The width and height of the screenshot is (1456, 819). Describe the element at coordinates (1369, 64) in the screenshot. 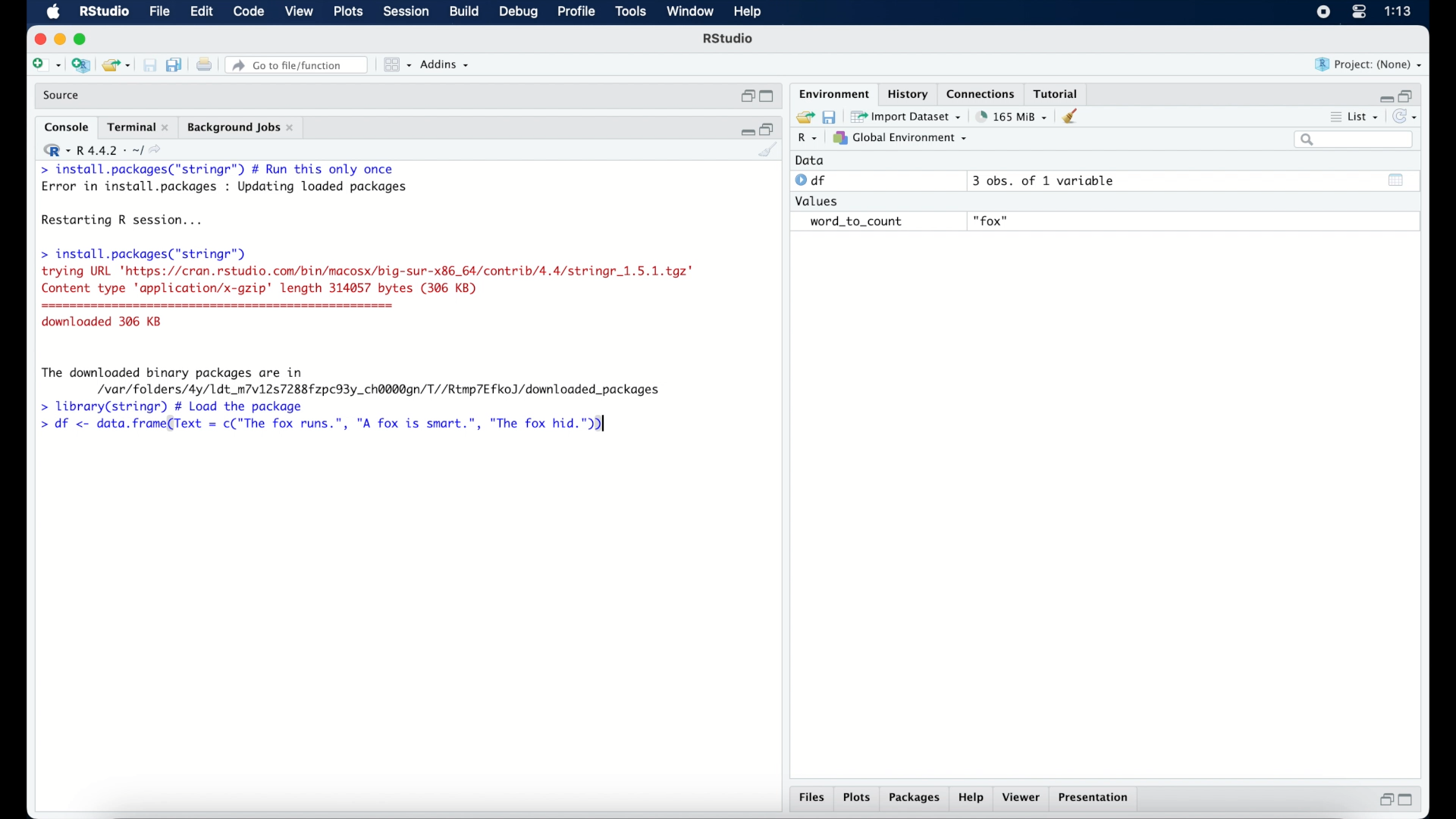

I see `project (none)` at that location.